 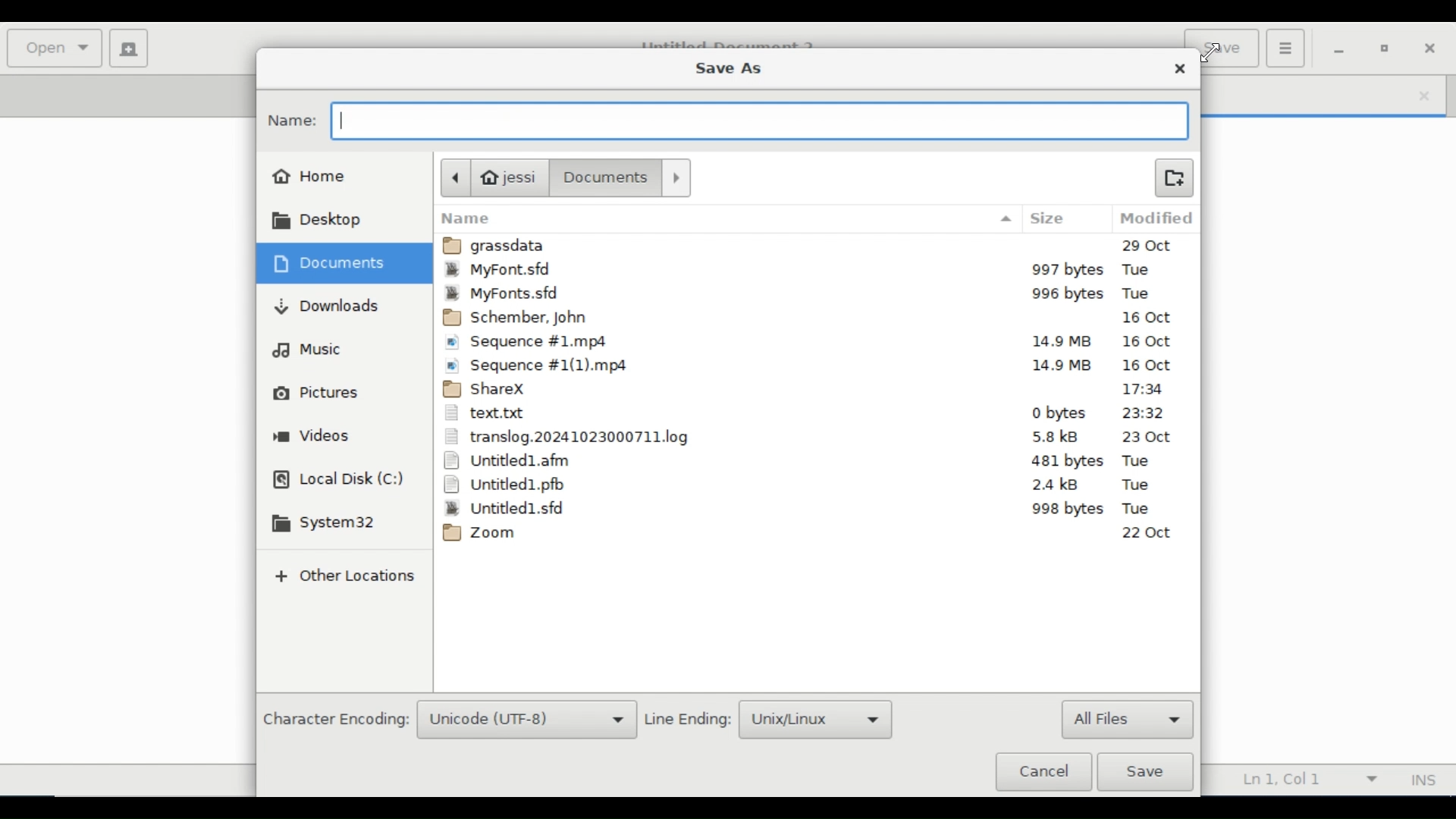 I want to click on Unix/Linux, so click(x=815, y=720).